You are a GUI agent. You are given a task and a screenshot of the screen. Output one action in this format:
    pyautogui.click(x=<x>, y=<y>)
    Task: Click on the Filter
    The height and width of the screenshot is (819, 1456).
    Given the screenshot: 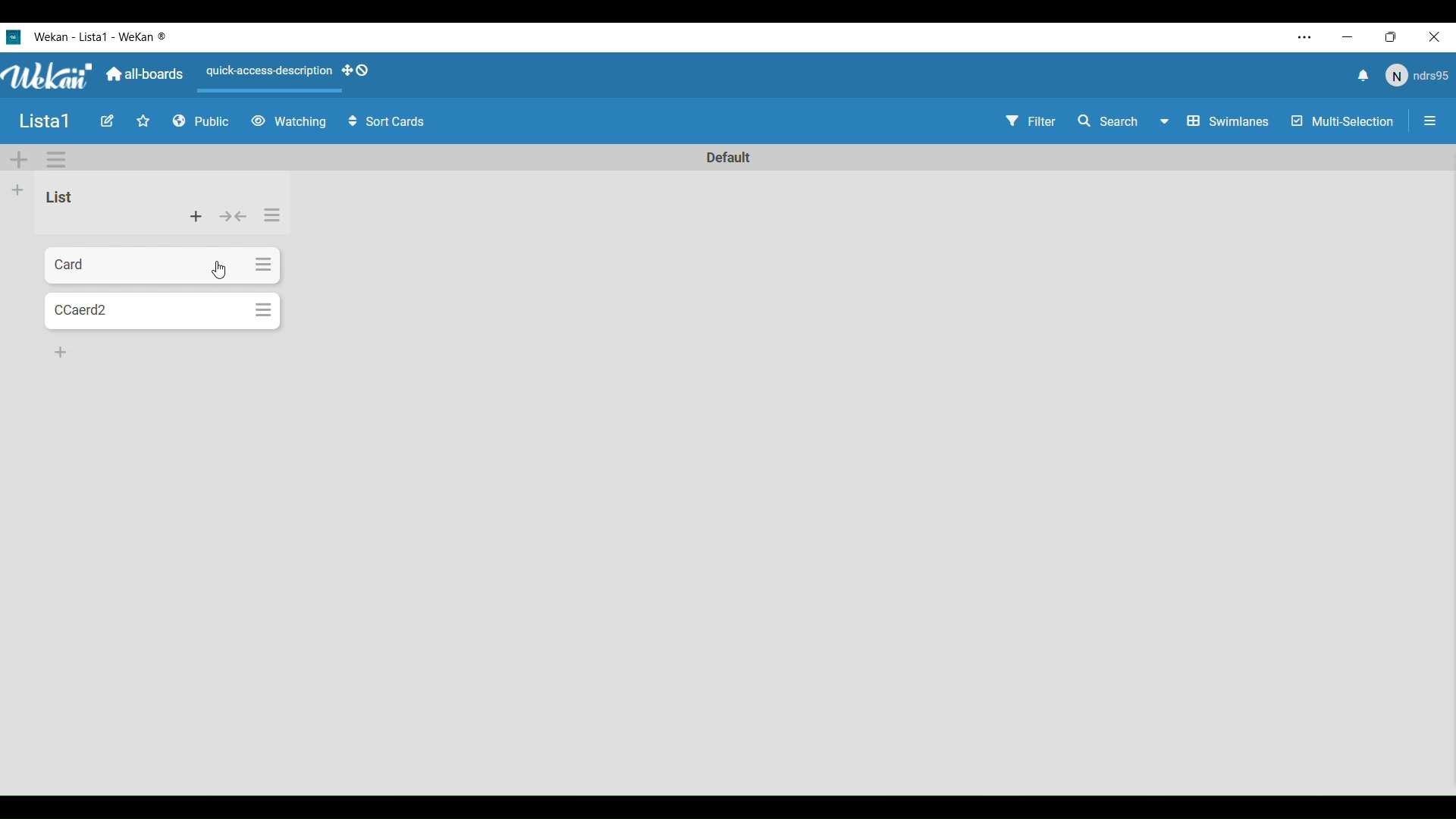 What is the action you would take?
    pyautogui.click(x=1030, y=124)
    